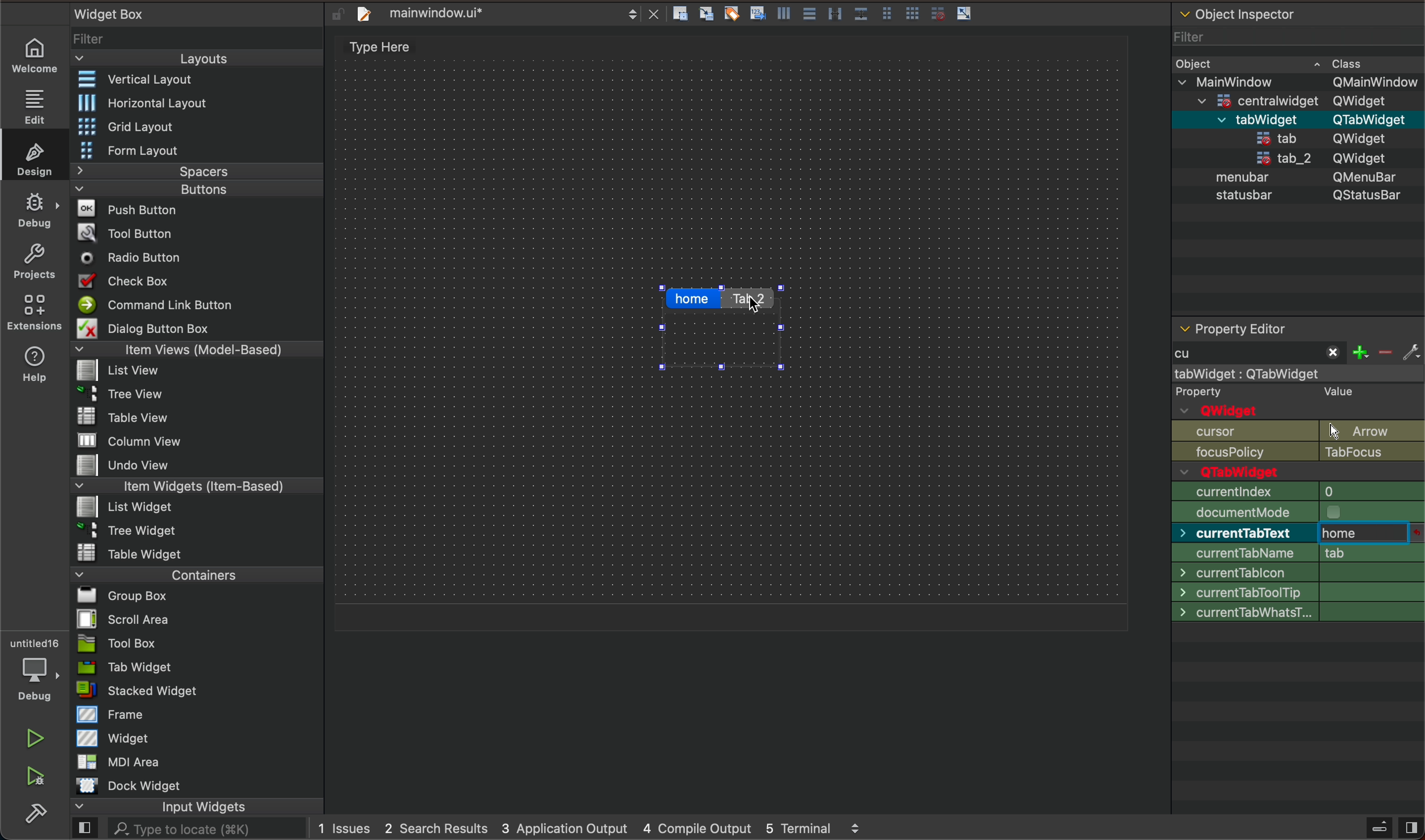 The image size is (1425, 840). What do you see at coordinates (134, 641) in the screenshot?
I see `Tool Box` at bounding box center [134, 641].